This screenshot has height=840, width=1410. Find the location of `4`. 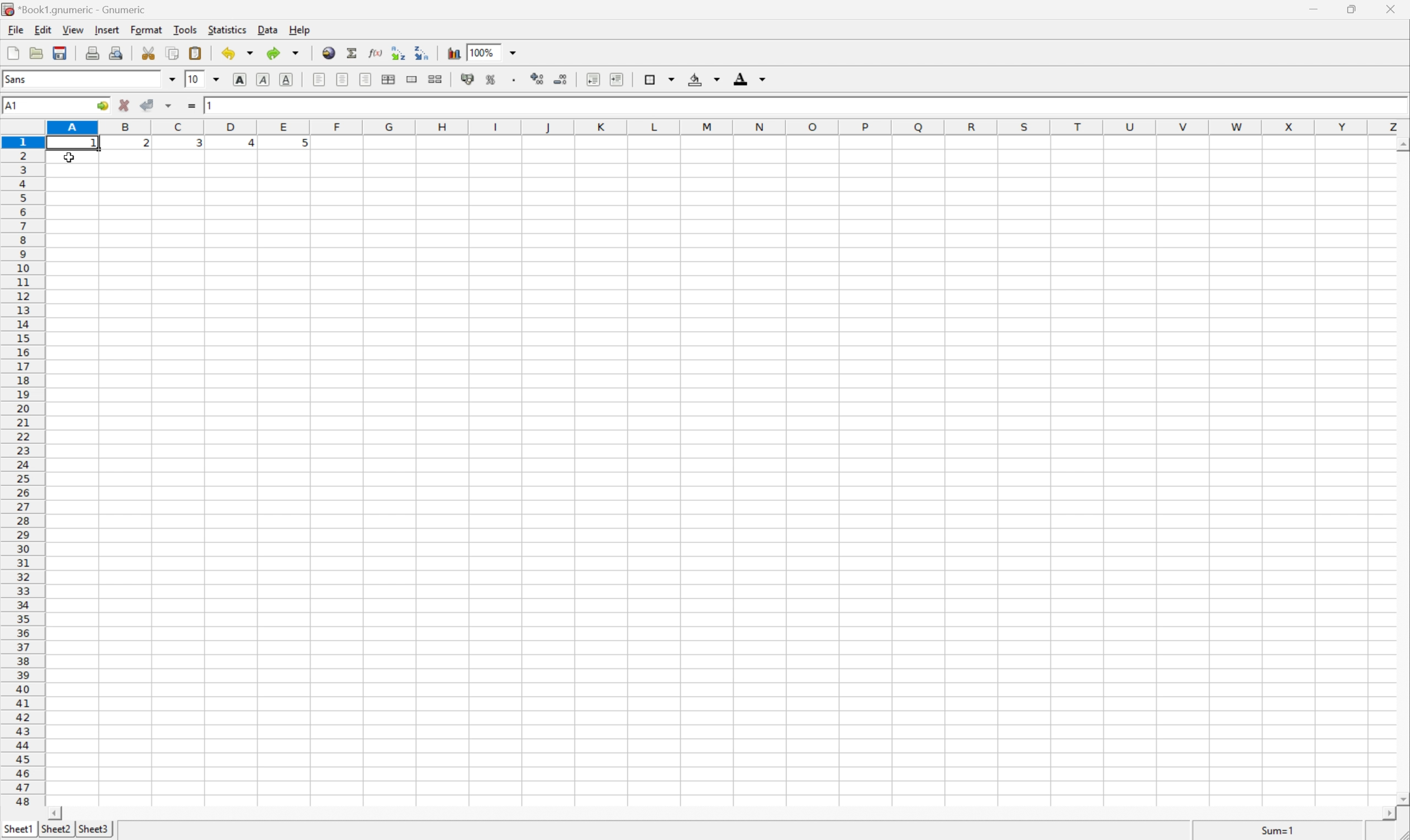

4 is located at coordinates (246, 144).